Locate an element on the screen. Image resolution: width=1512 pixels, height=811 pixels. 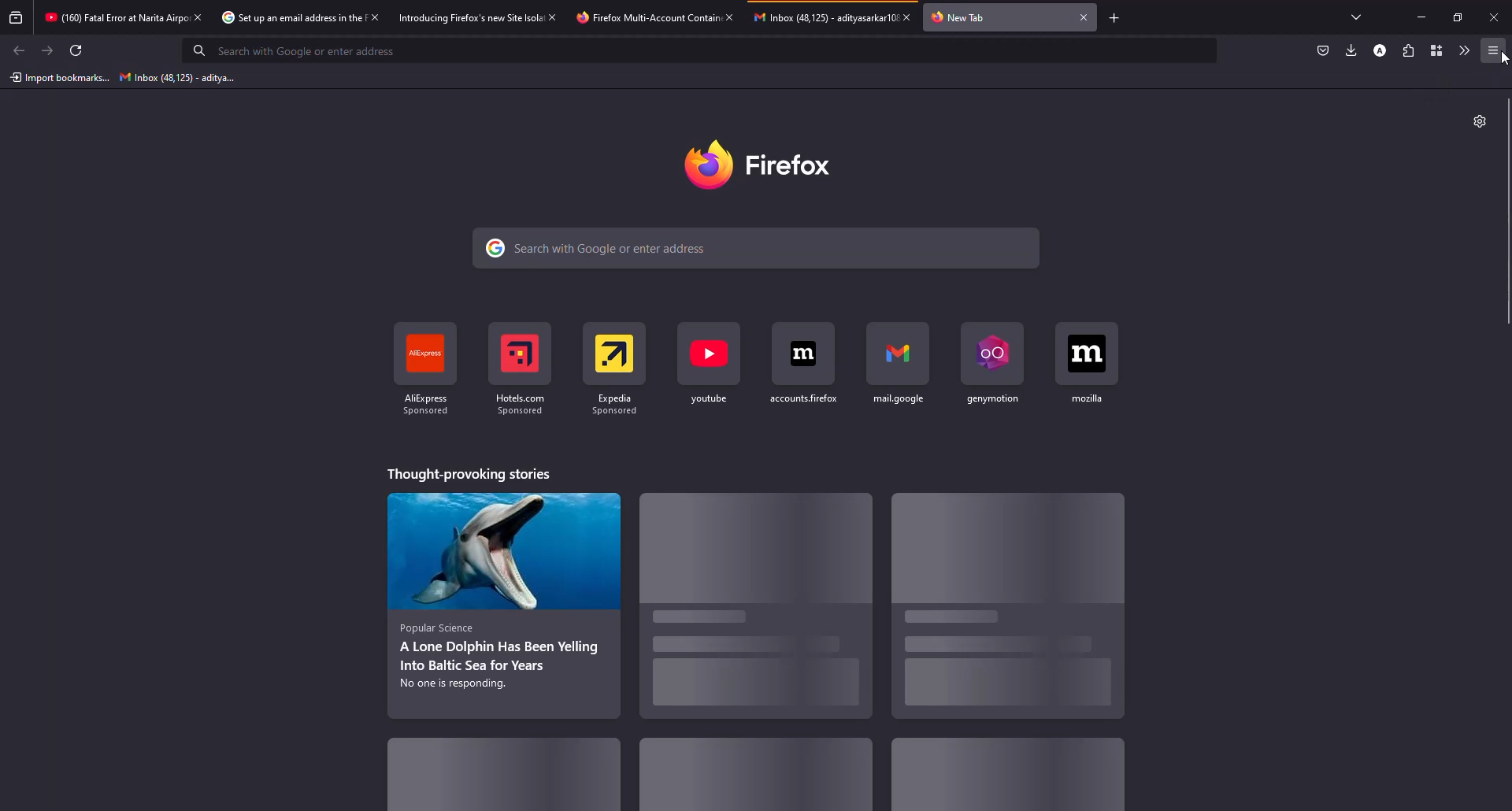
container is located at coordinates (1432, 50).